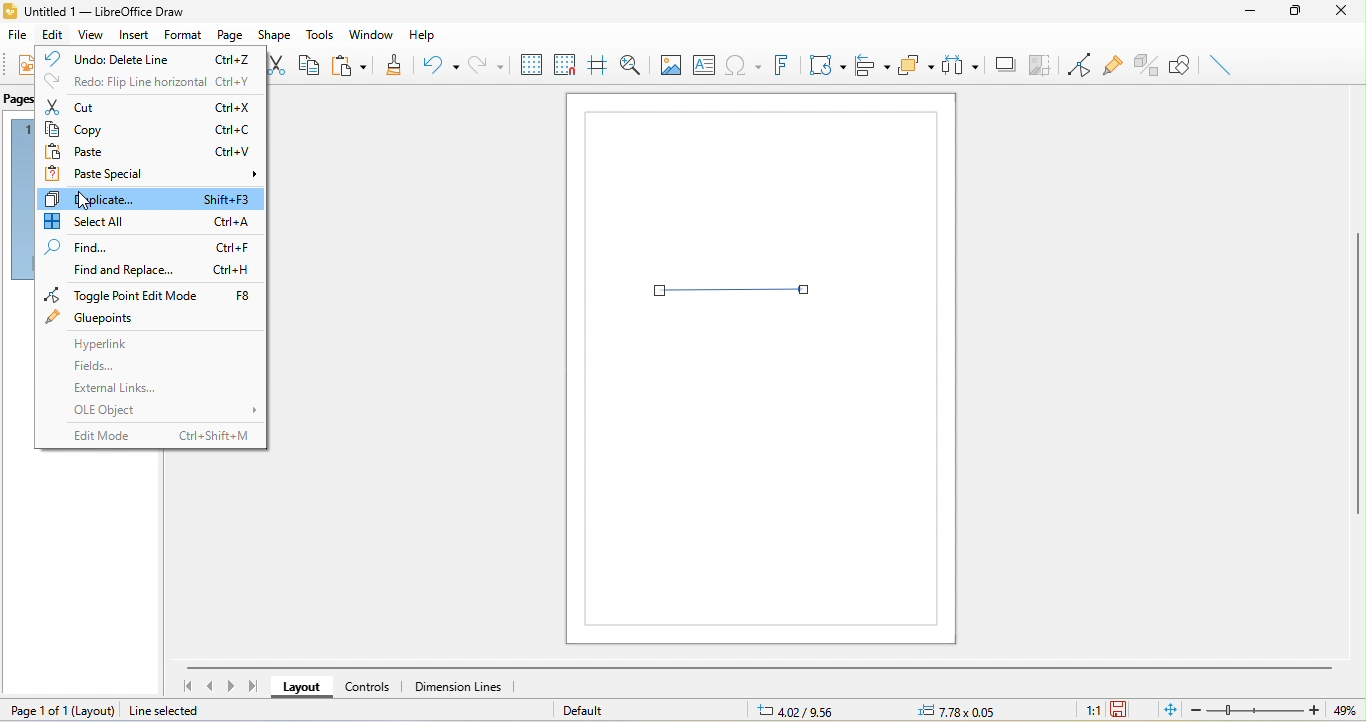 The image size is (1366, 722). What do you see at coordinates (704, 64) in the screenshot?
I see `text box` at bounding box center [704, 64].